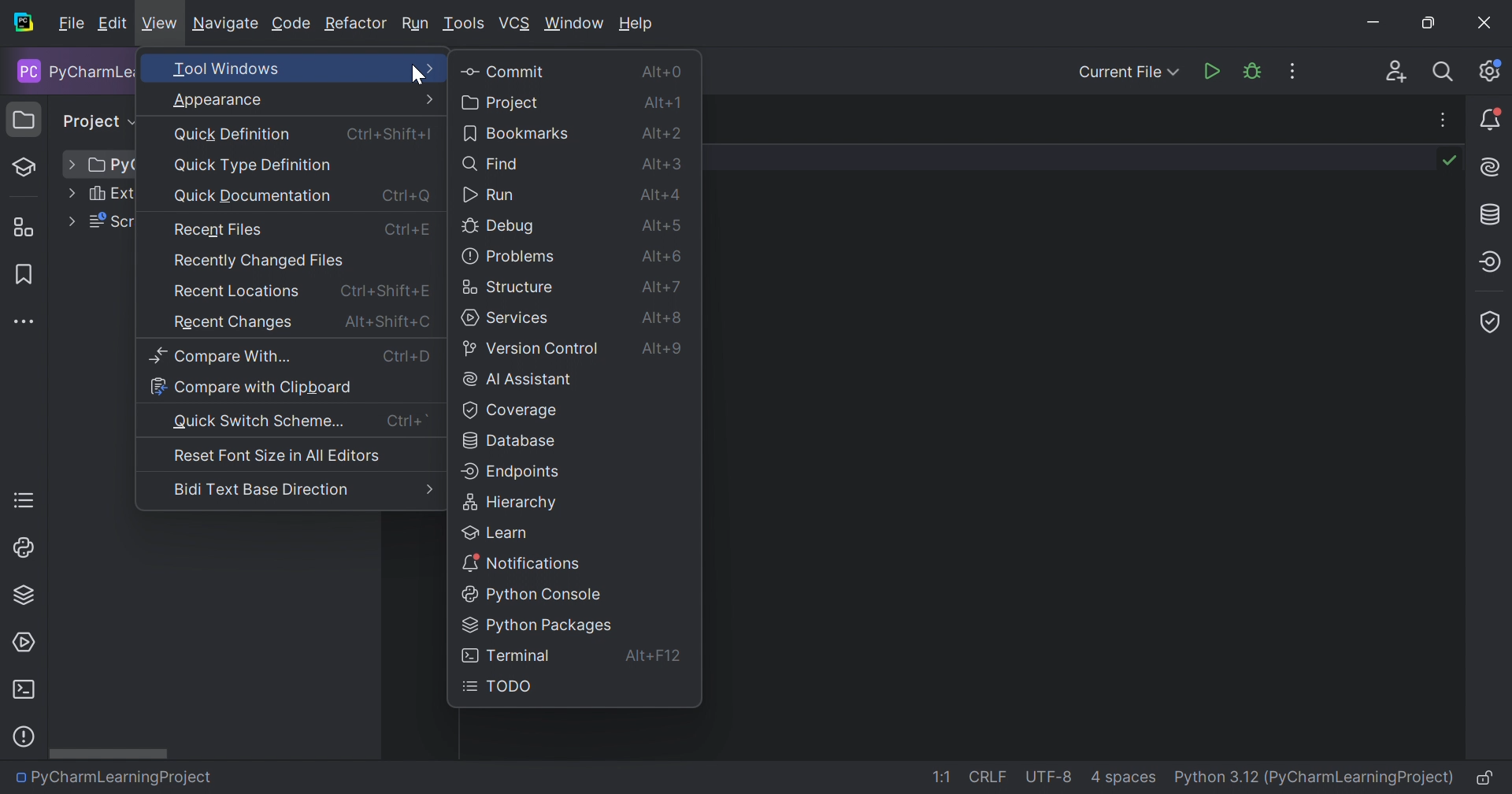 Image resolution: width=1512 pixels, height=794 pixels. Describe the element at coordinates (638, 24) in the screenshot. I see `Help` at that location.